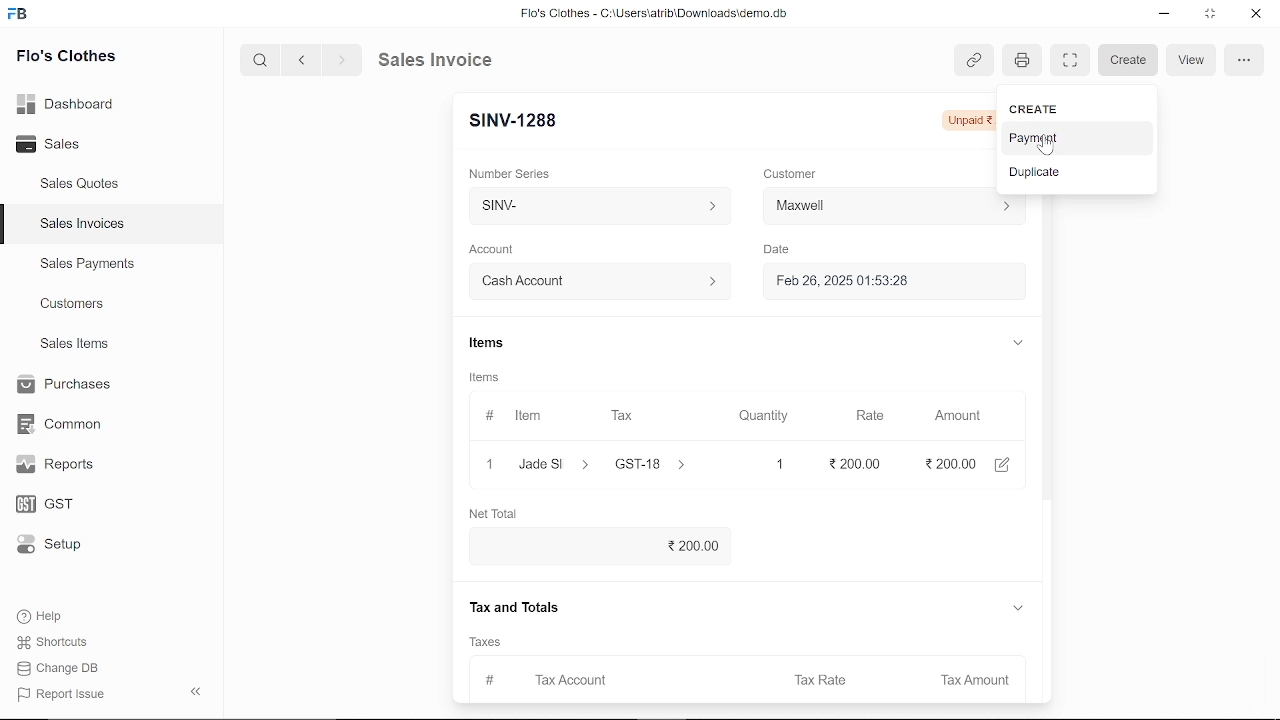  What do you see at coordinates (1254, 15) in the screenshot?
I see `close` at bounding box center [1254, 15].